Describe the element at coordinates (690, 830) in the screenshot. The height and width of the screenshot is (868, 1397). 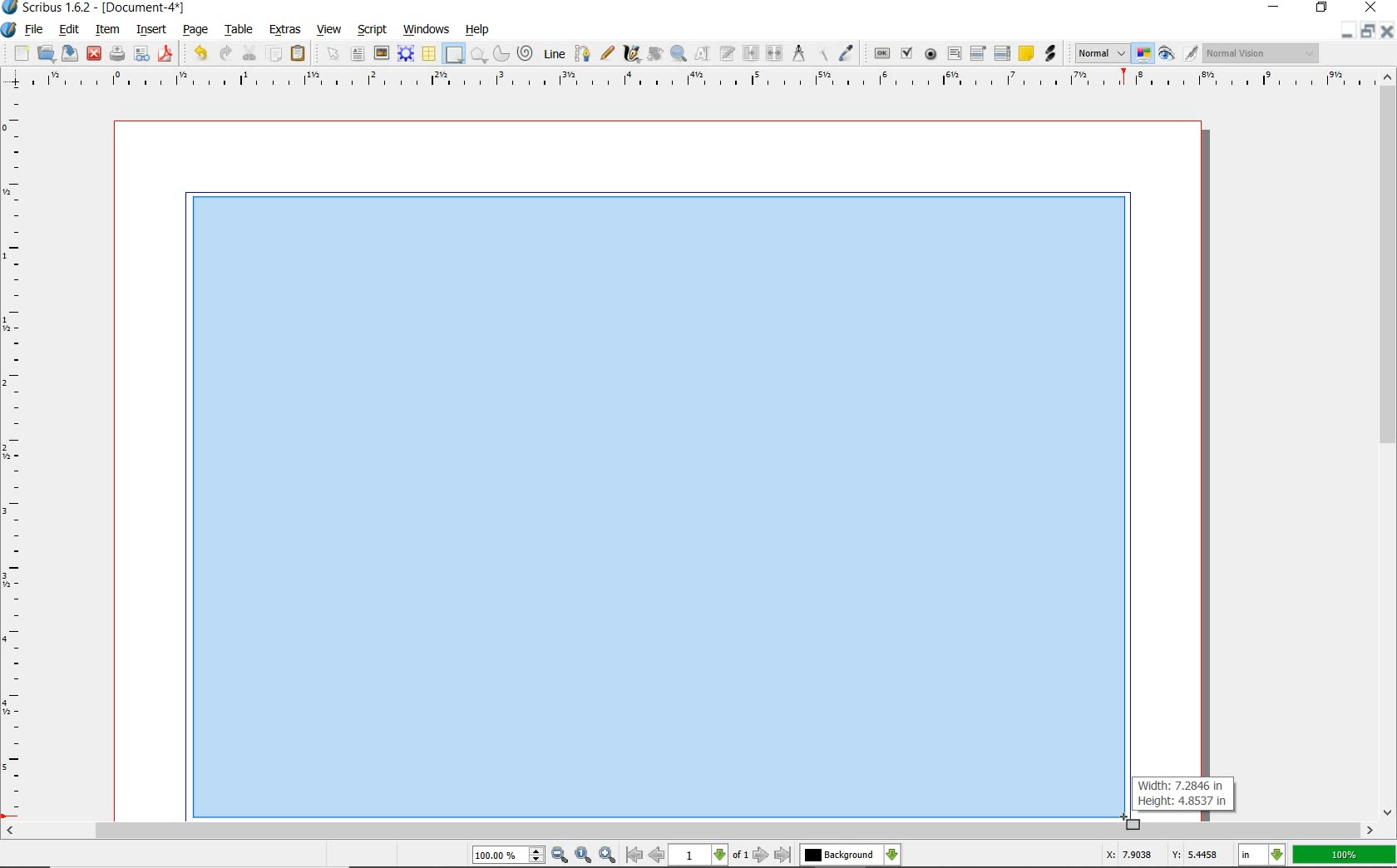
I see `scrollbar` at that location.